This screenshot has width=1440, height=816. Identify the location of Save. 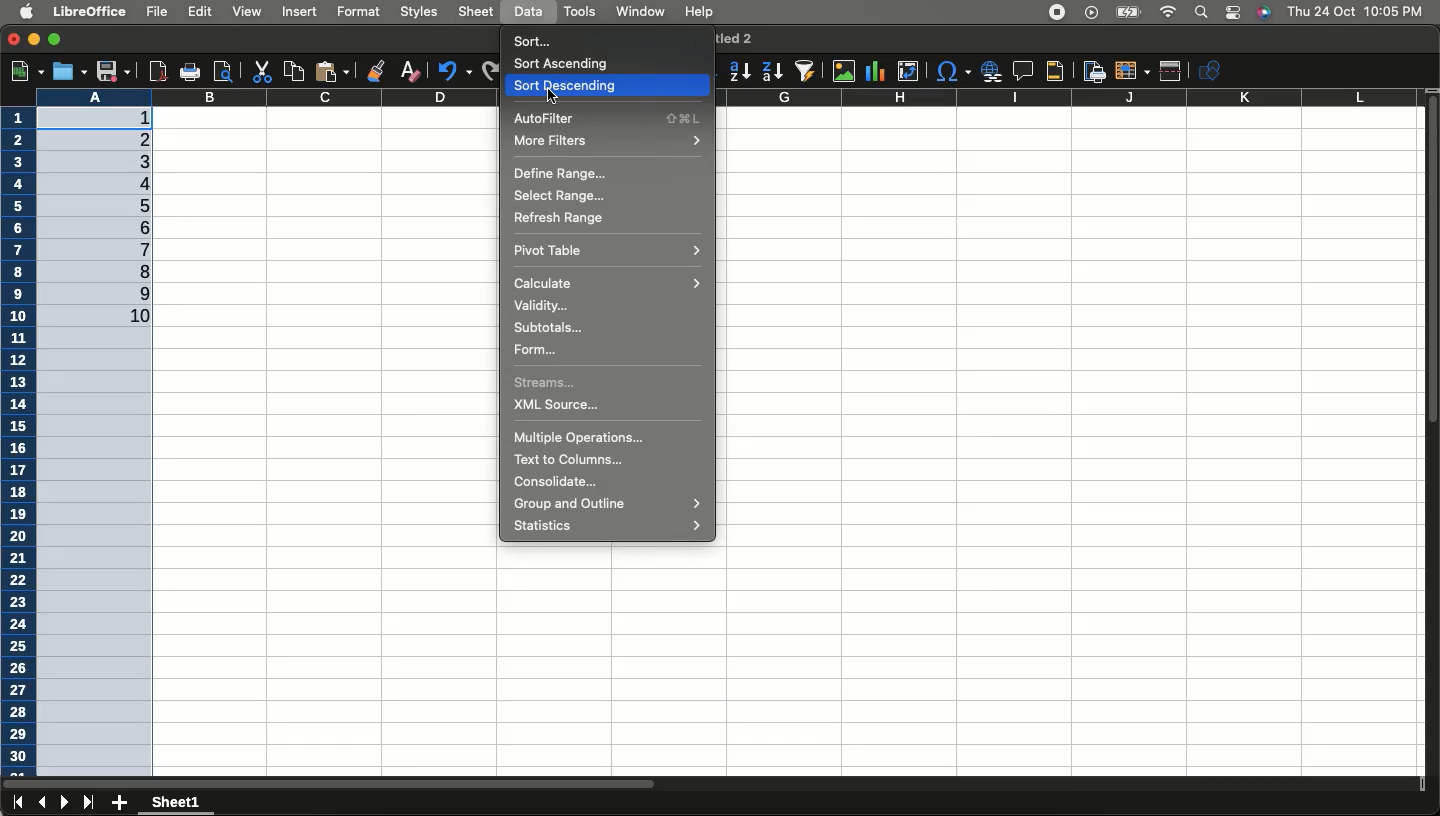
(113, 71).